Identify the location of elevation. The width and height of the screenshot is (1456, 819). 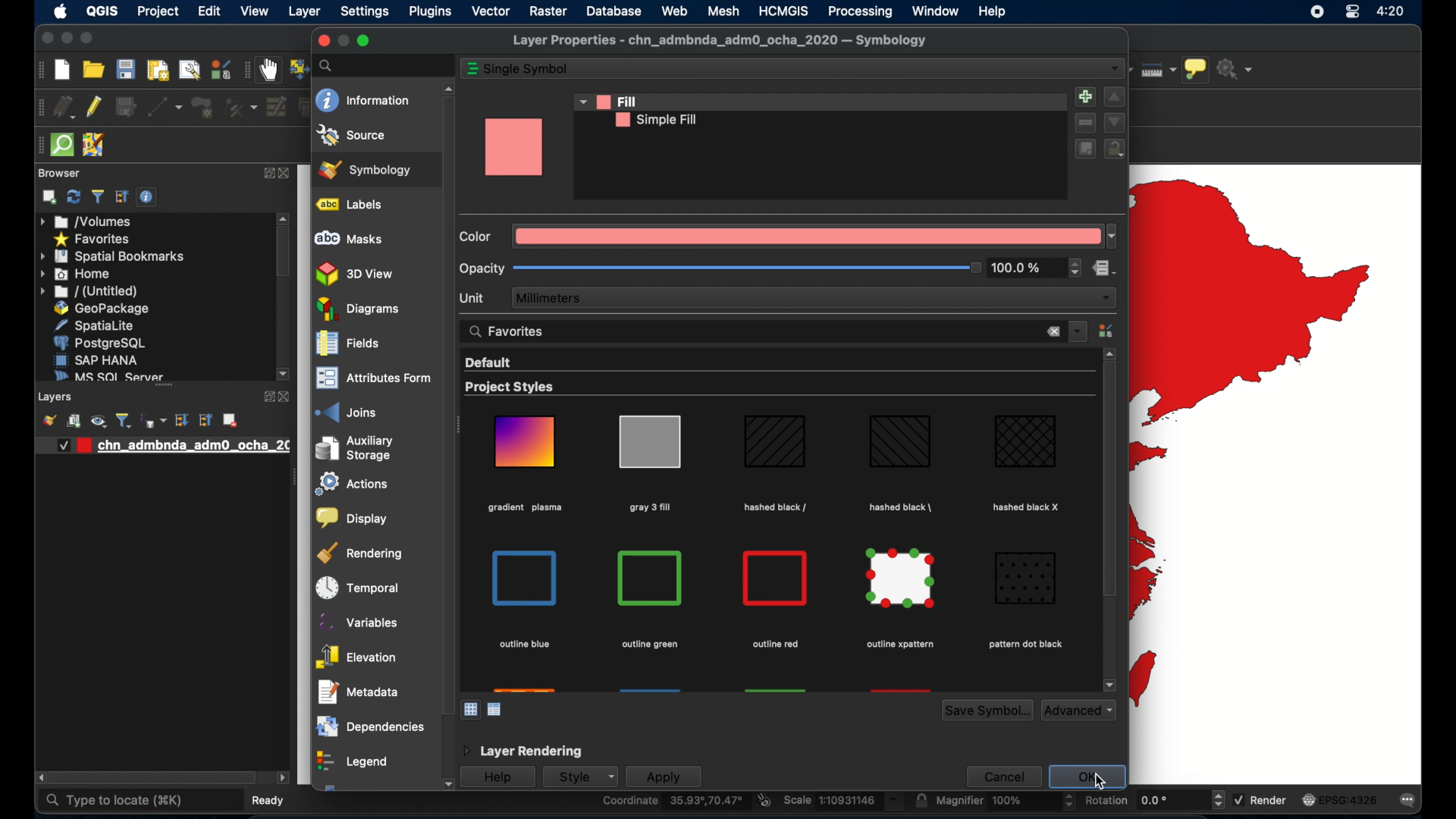
(356, 657).